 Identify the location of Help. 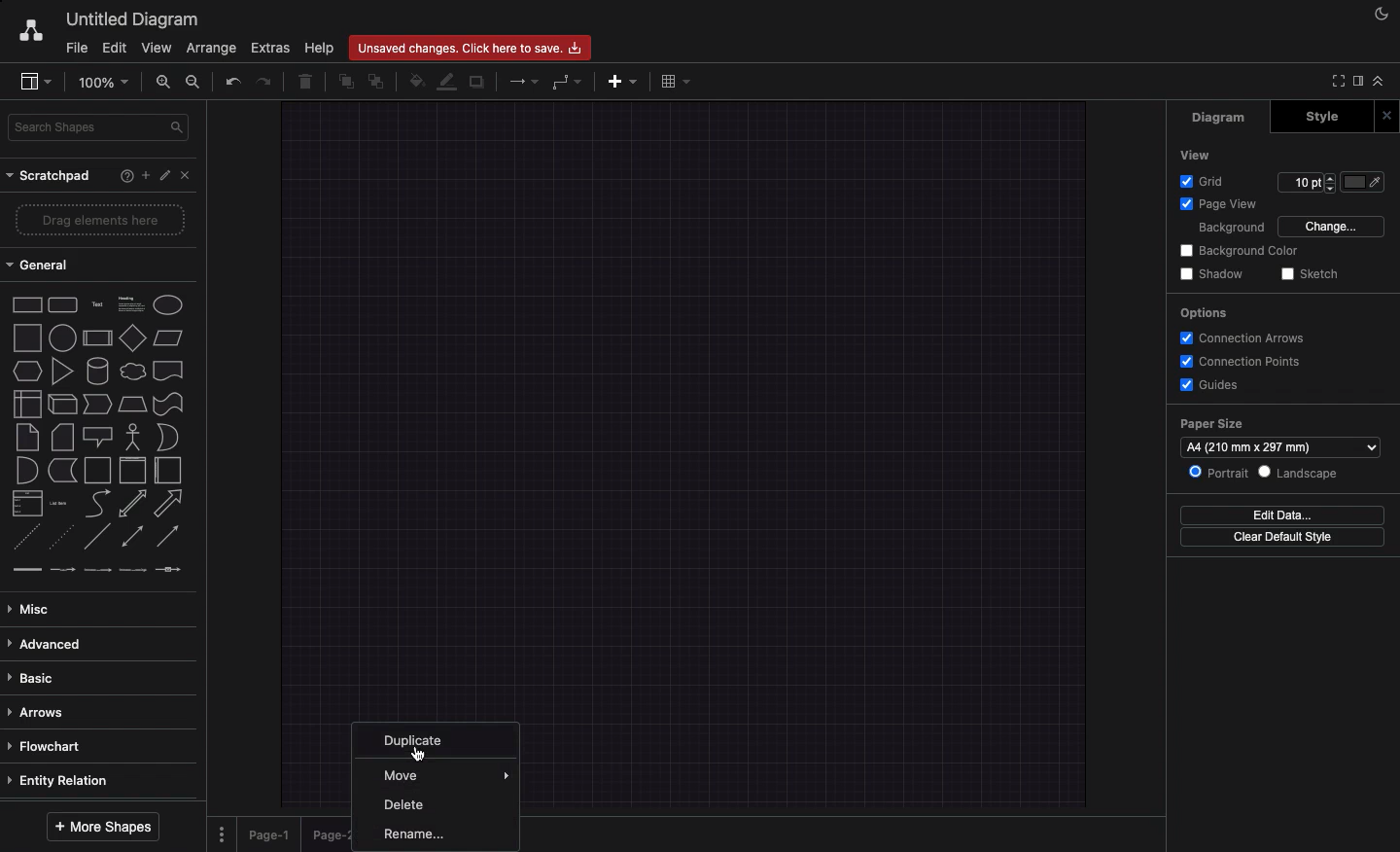
(115, 174).